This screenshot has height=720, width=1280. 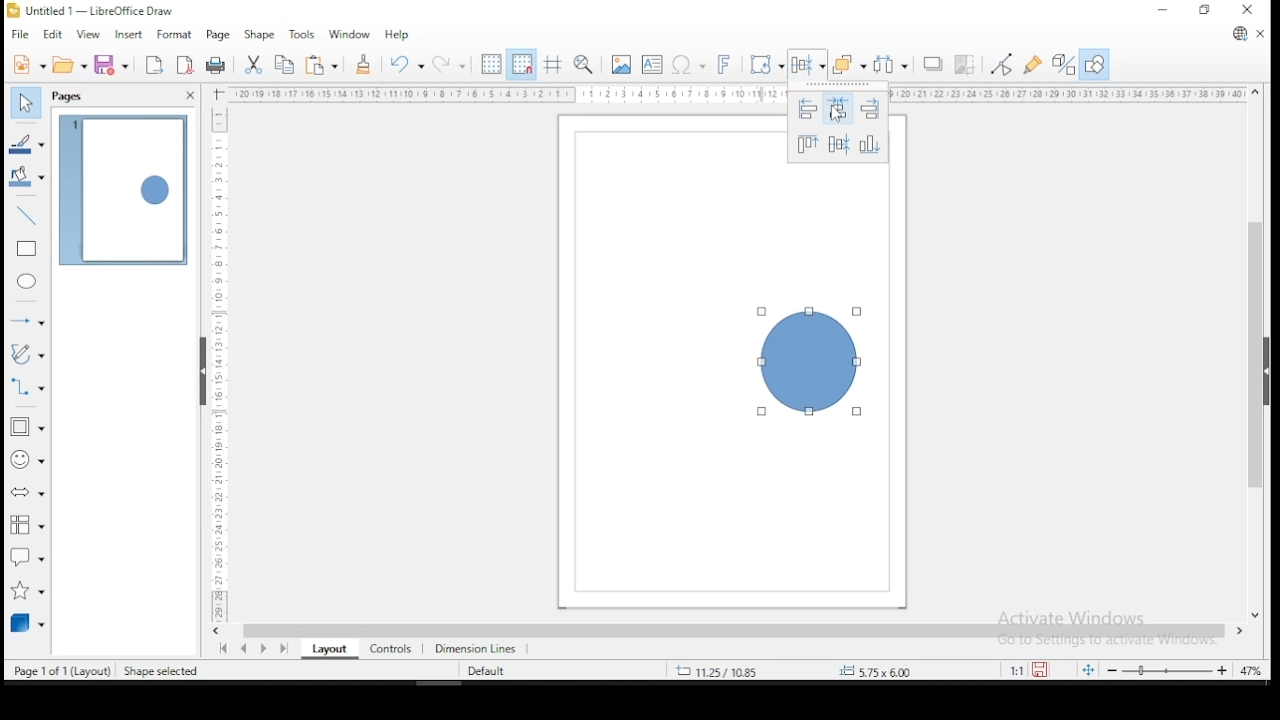 I want to click on 5.75x6.00, so click(x=873, y=671).